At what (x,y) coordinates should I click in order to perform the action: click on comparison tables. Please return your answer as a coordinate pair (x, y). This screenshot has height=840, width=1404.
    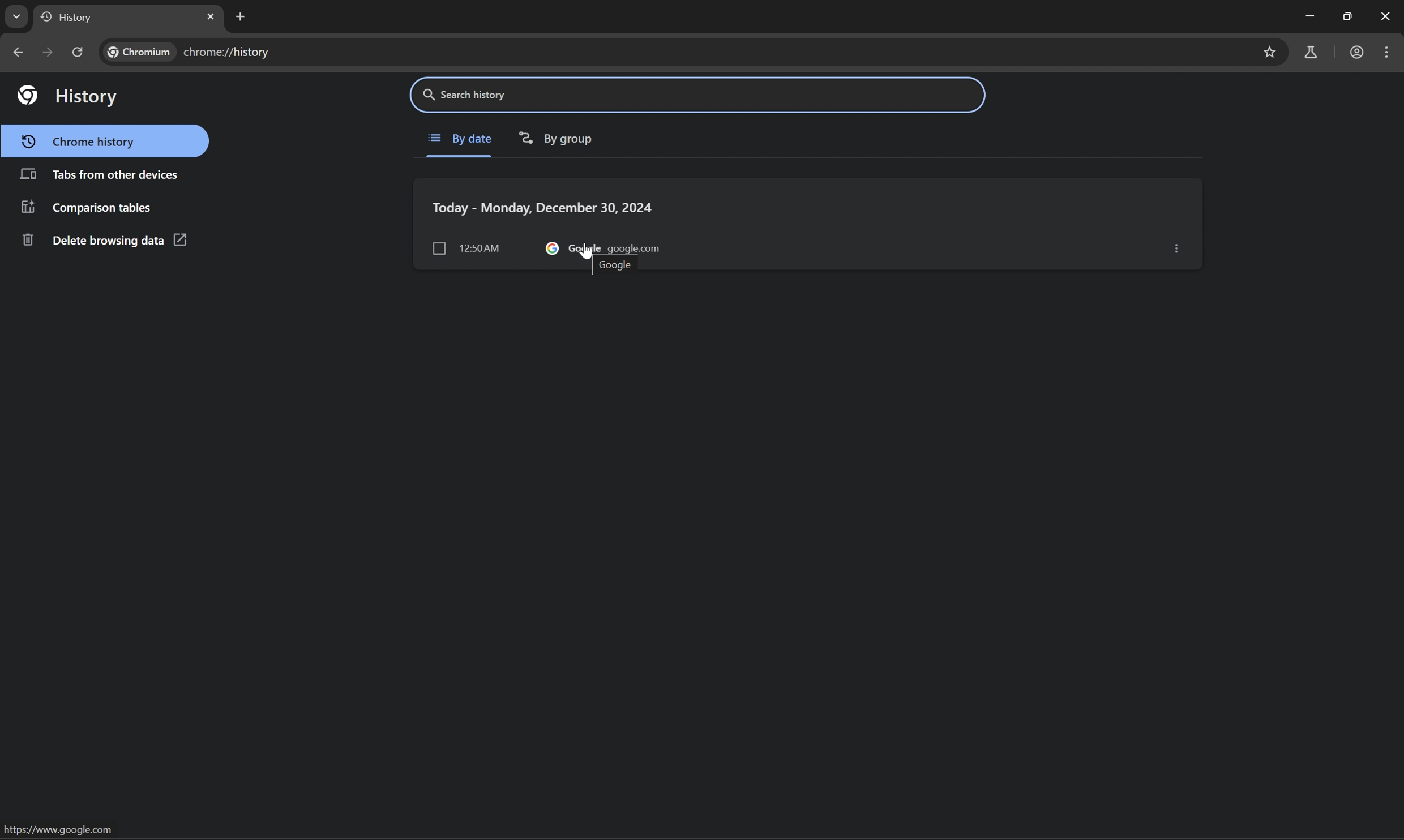
    Looking at the image, I should click on (89, 208).